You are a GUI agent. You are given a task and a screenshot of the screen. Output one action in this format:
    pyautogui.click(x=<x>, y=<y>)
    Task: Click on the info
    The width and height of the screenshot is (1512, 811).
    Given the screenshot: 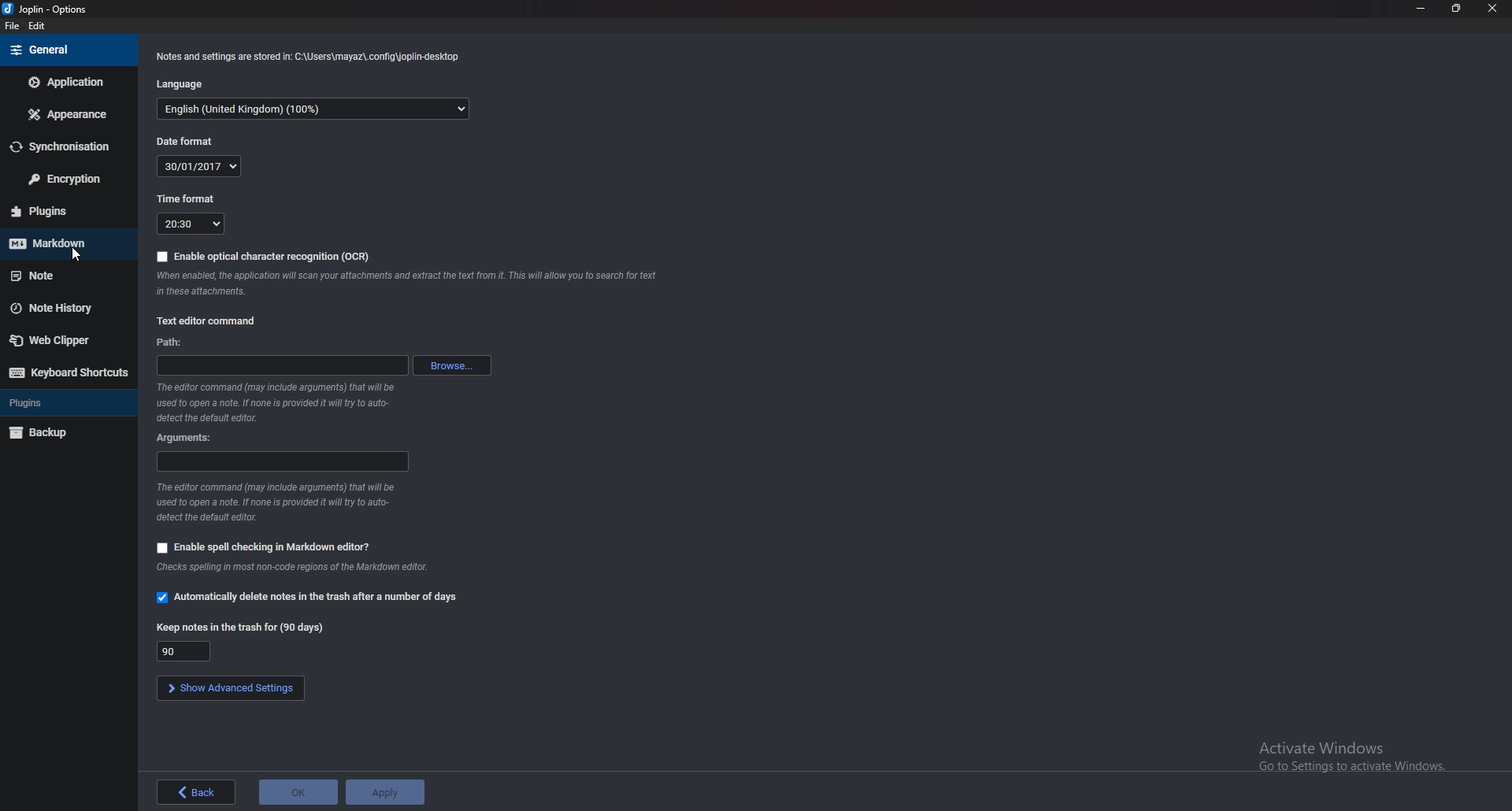 What is the action you would take?
    pyautogui.click(x=279, y=403)
    